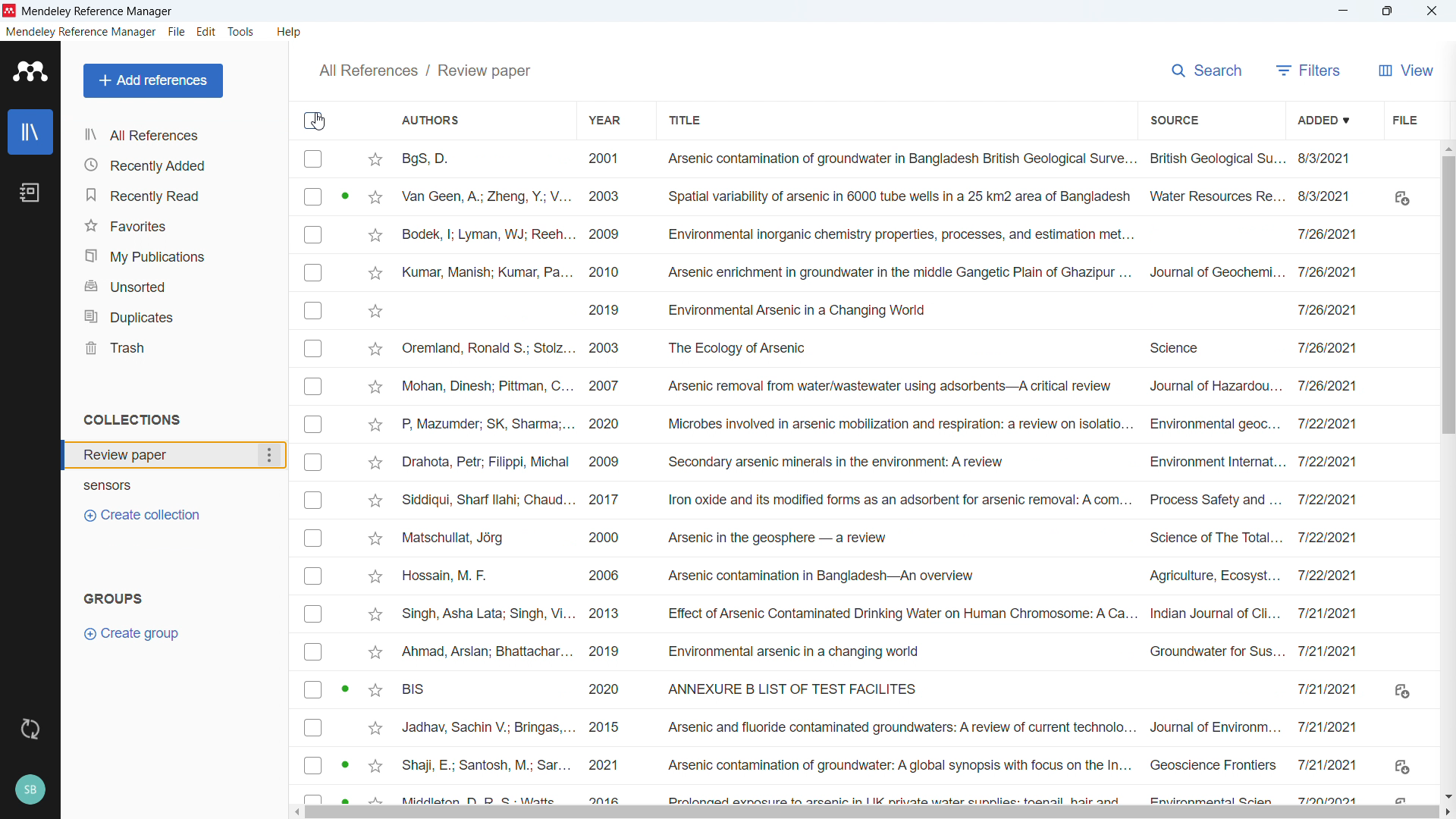  I want to click on Select respective publication, so click(313, 197).